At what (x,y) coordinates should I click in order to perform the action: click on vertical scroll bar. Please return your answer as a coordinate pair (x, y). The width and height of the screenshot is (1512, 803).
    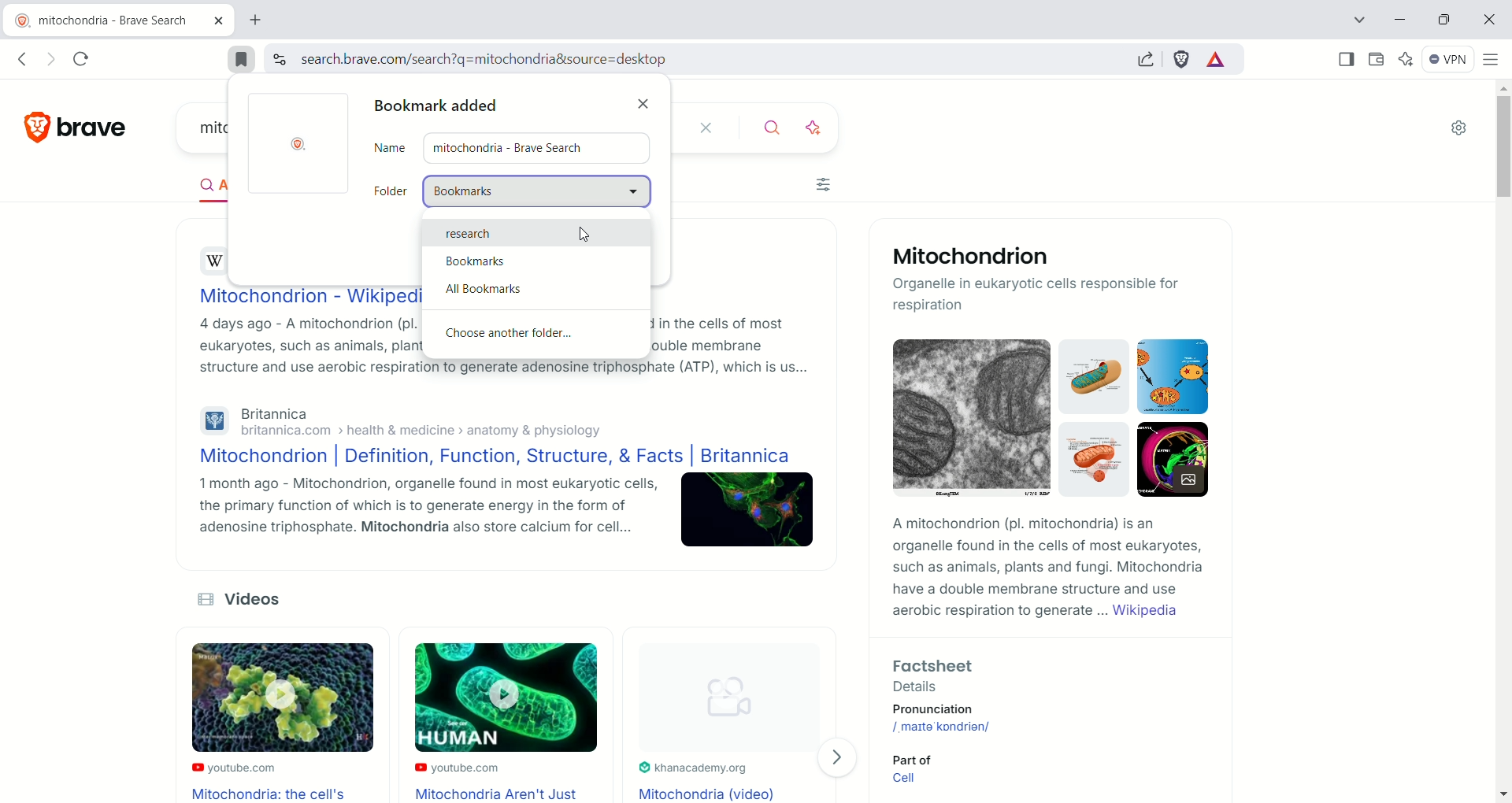
    Looking at the image, I should click on (1503, 439).